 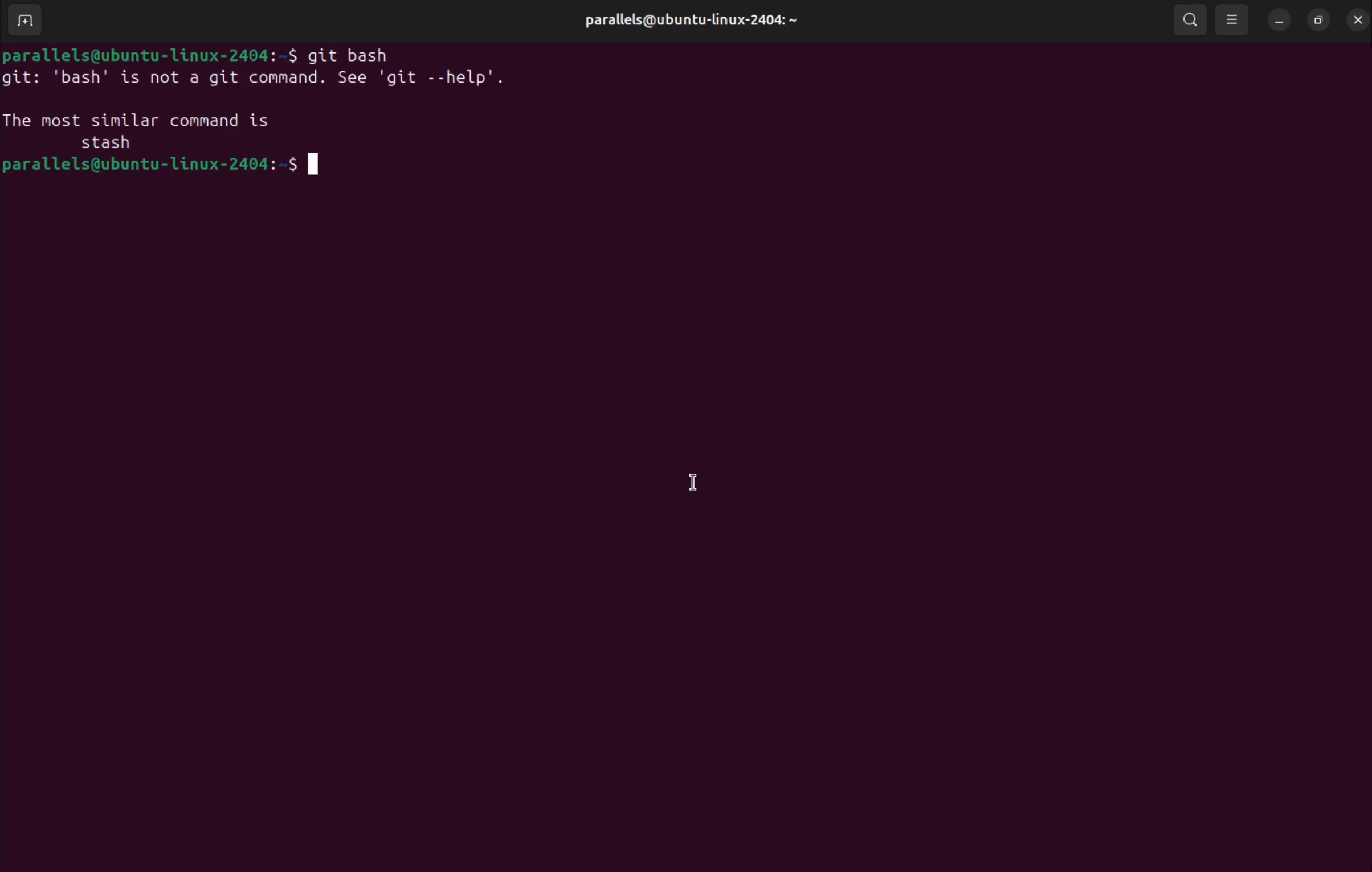 I want to click on view options, so click(x=1236, y=21).